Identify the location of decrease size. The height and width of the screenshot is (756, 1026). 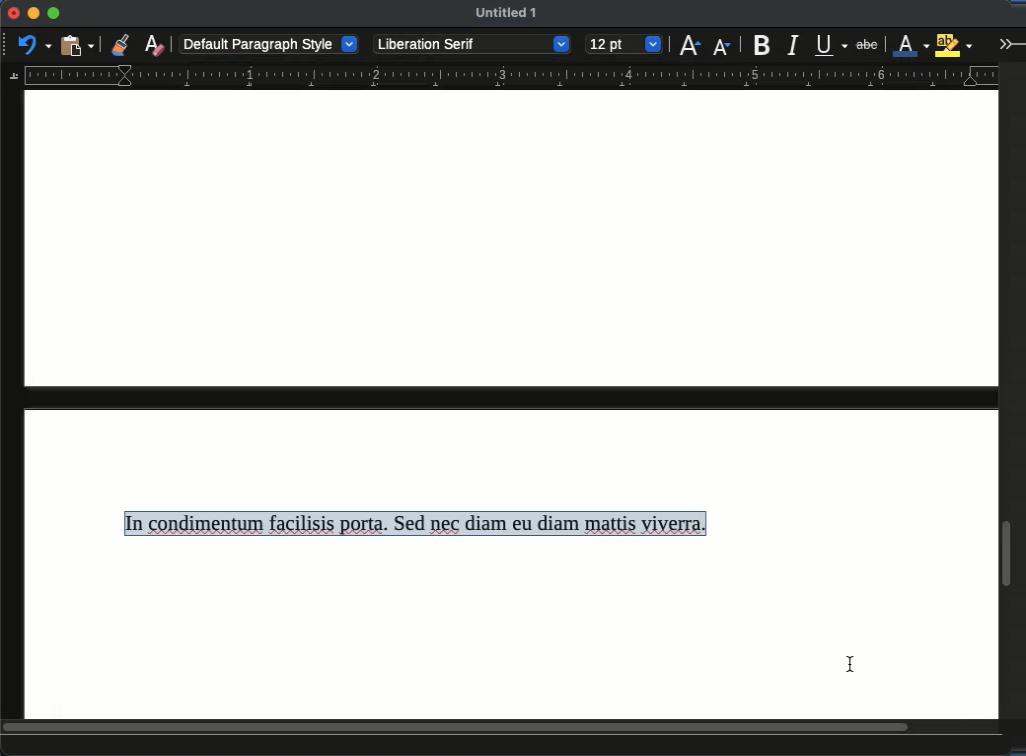
(723, 45).